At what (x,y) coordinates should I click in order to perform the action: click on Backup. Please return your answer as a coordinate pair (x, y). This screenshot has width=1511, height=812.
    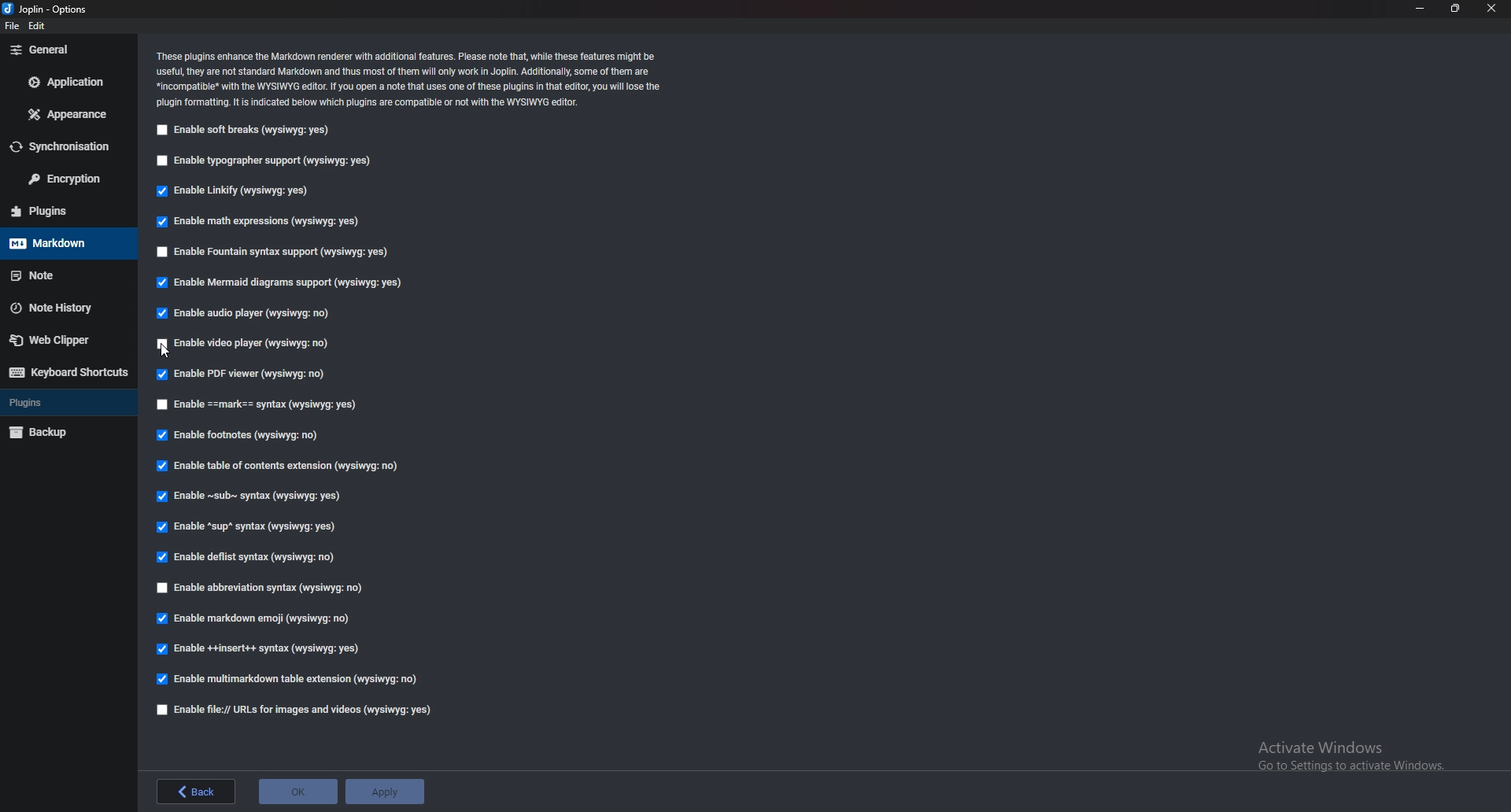
    Looking at the image, I should click on (64, 431).